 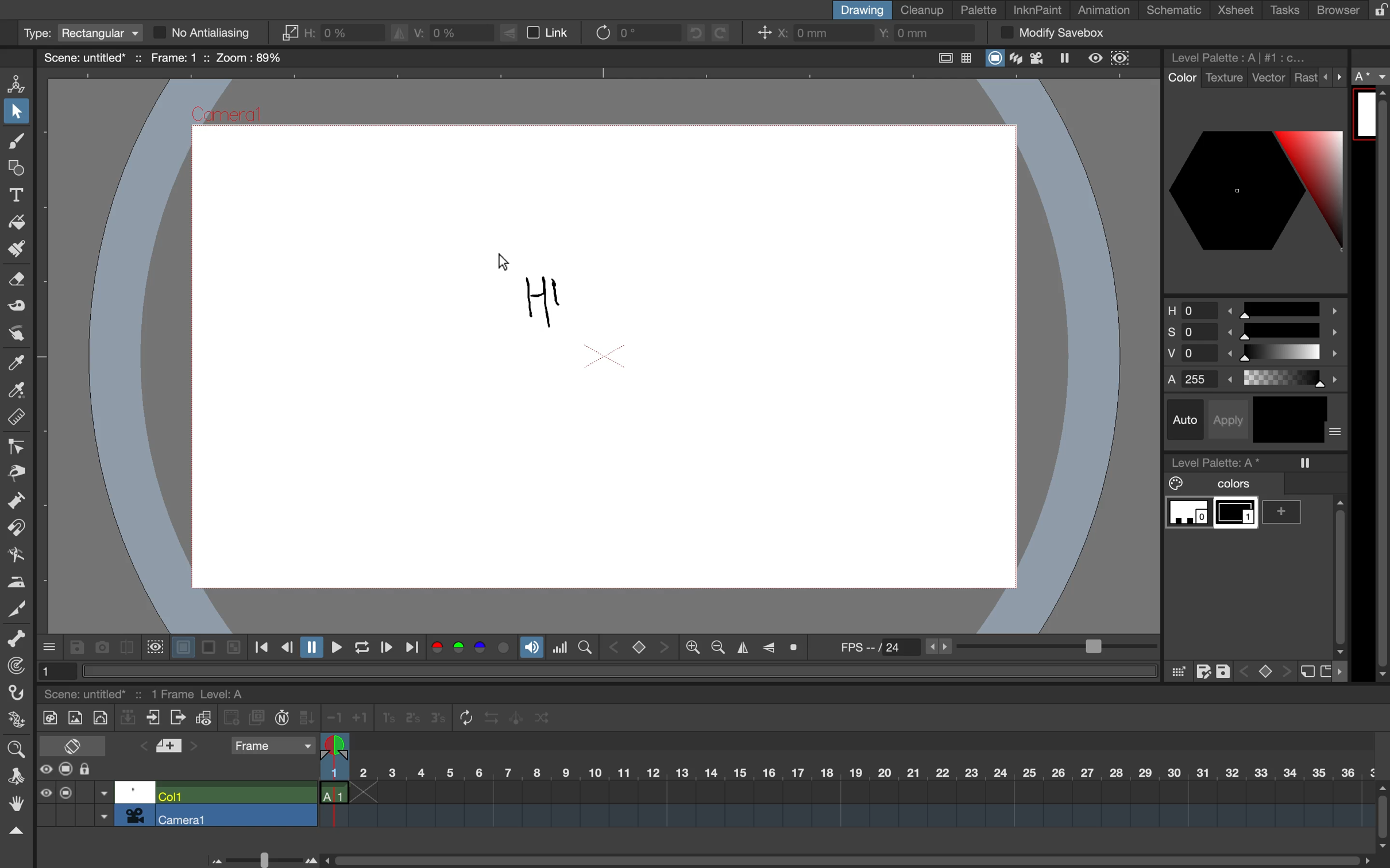 What do you see at coordinates (310, 648) in the screenshot?
I see `pause` at bounding box center [310, 648].